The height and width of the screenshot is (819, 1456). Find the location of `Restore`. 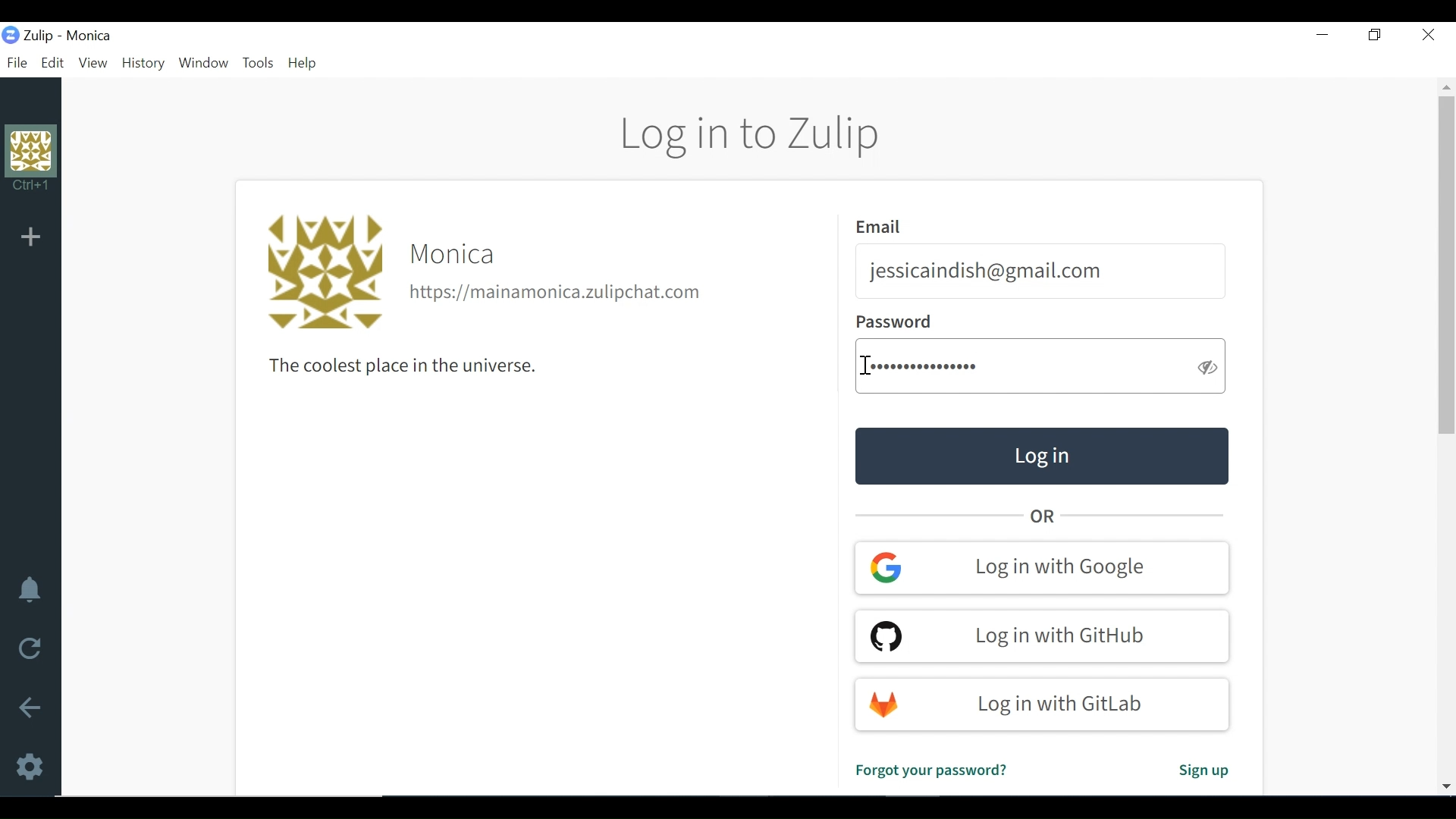

Restore is located at coordinates (1373, 34).